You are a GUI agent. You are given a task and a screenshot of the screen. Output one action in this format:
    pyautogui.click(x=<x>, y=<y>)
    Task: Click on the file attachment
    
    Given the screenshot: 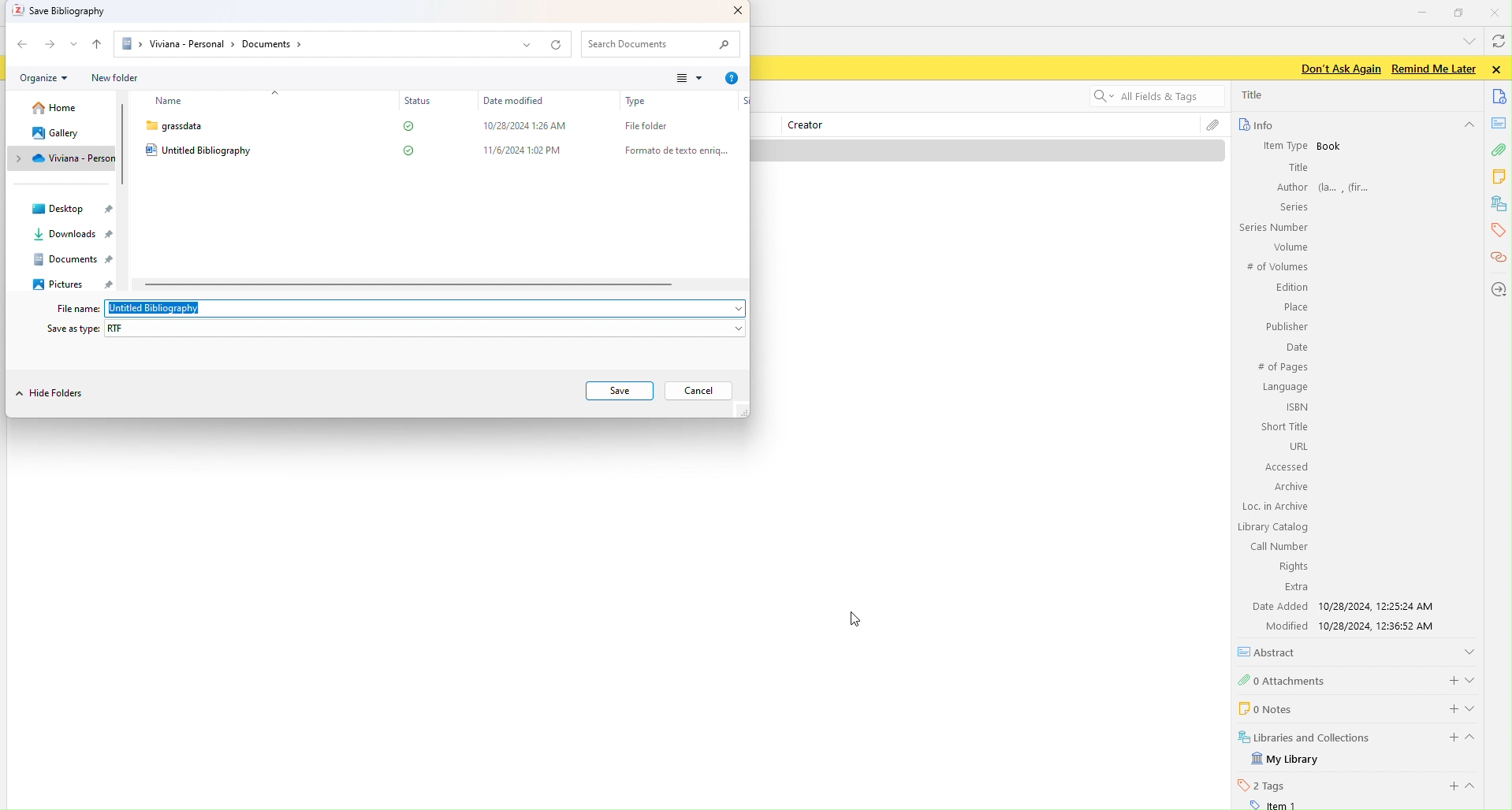 What is the action you would take?
    pyautogui.click(x=1212, y=127)
    